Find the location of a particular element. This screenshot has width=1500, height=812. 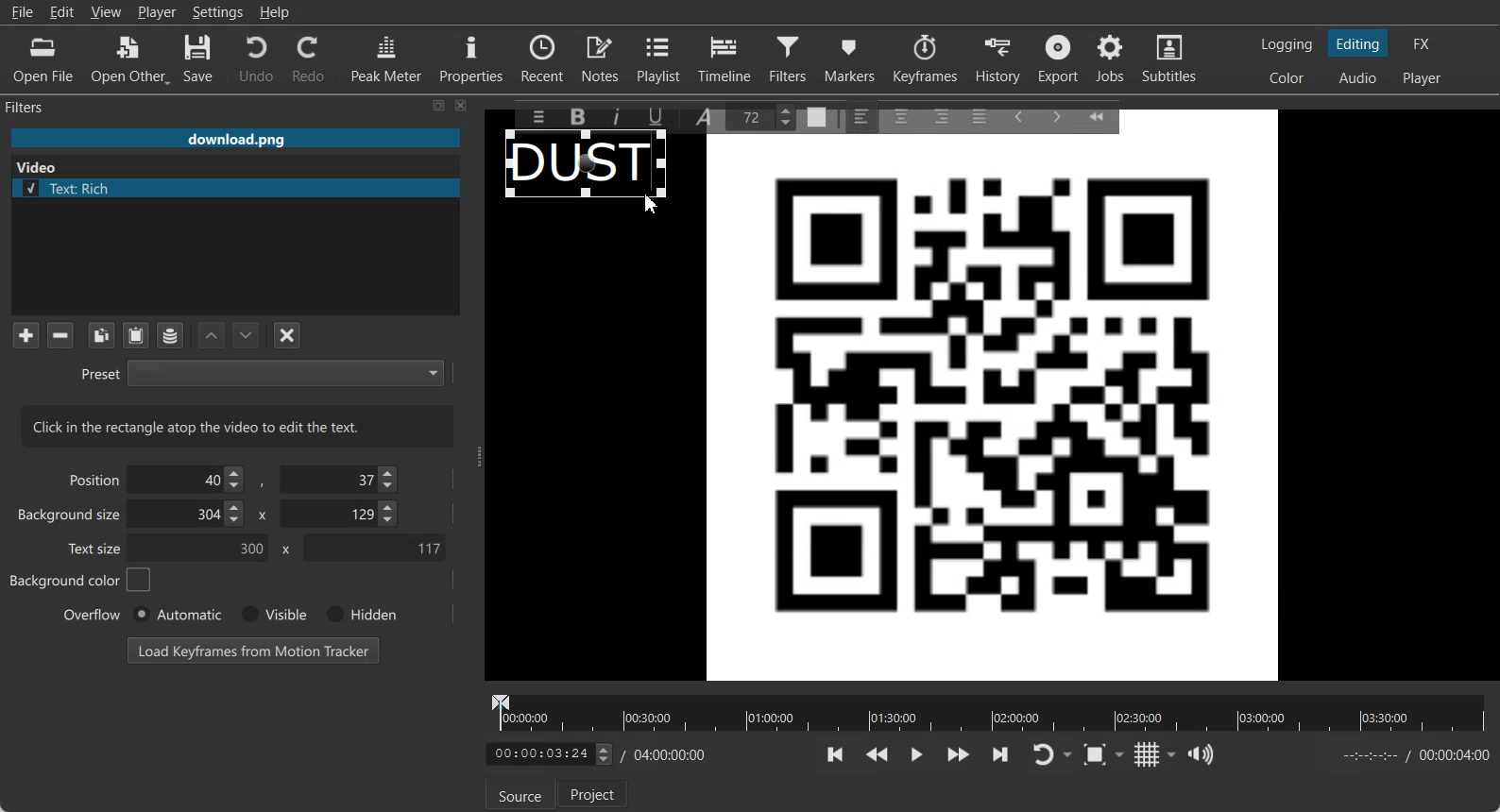

Filters is located at coordinates (43, 106).